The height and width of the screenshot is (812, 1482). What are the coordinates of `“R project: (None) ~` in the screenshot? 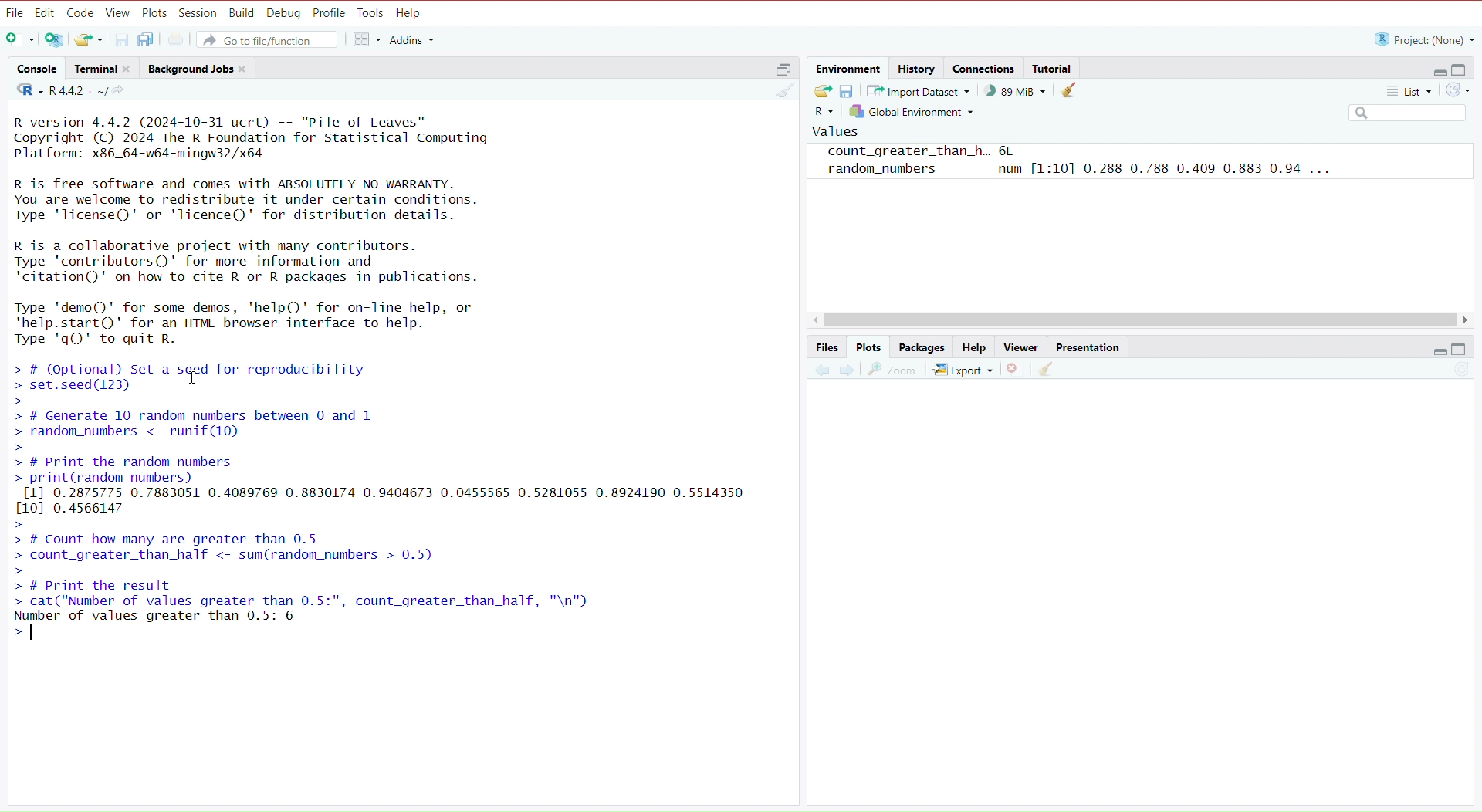 It's located at (1425, 37).